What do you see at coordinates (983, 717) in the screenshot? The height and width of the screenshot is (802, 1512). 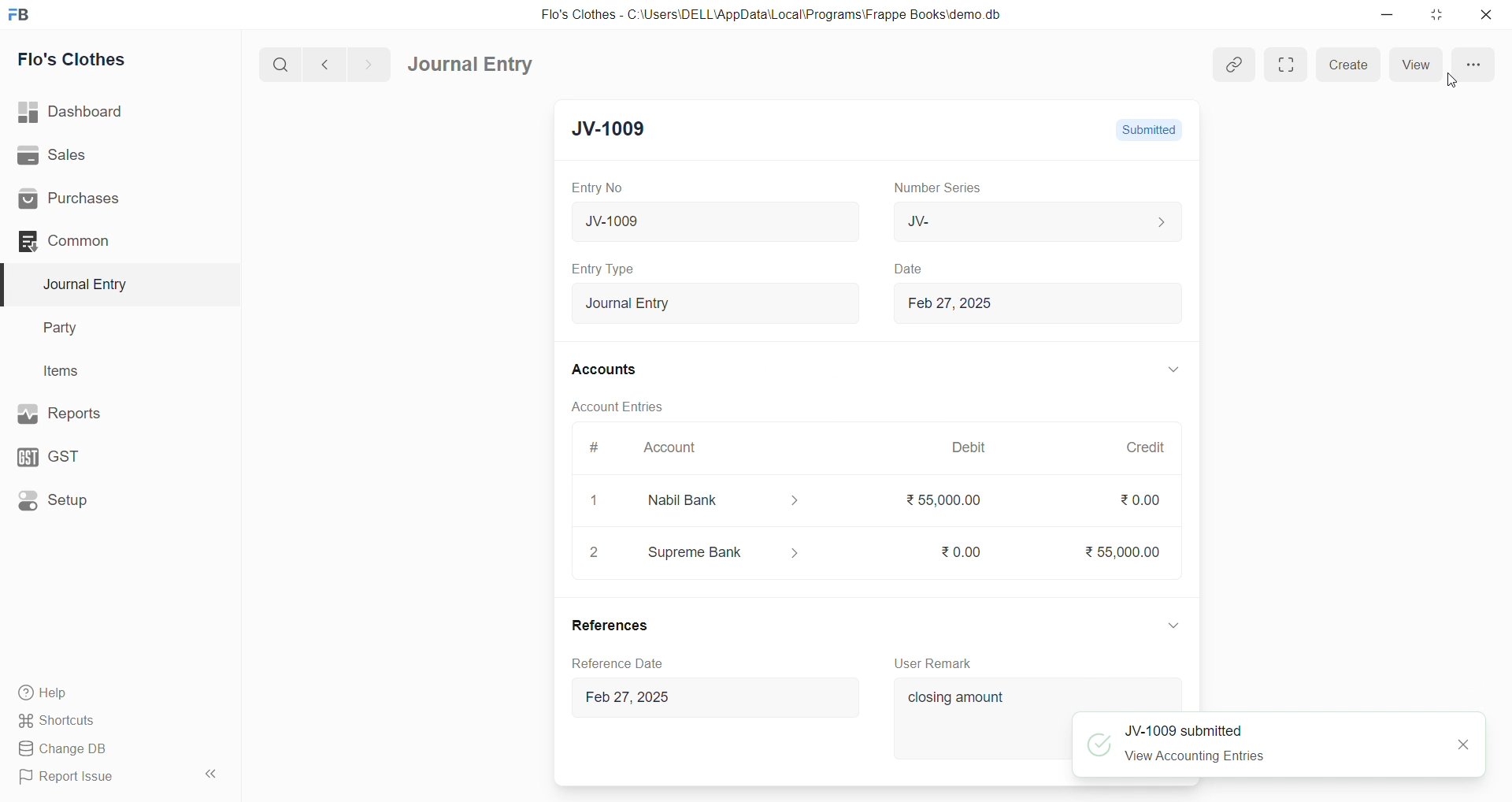 I see `closing amount` at bounding box center [983, 717].